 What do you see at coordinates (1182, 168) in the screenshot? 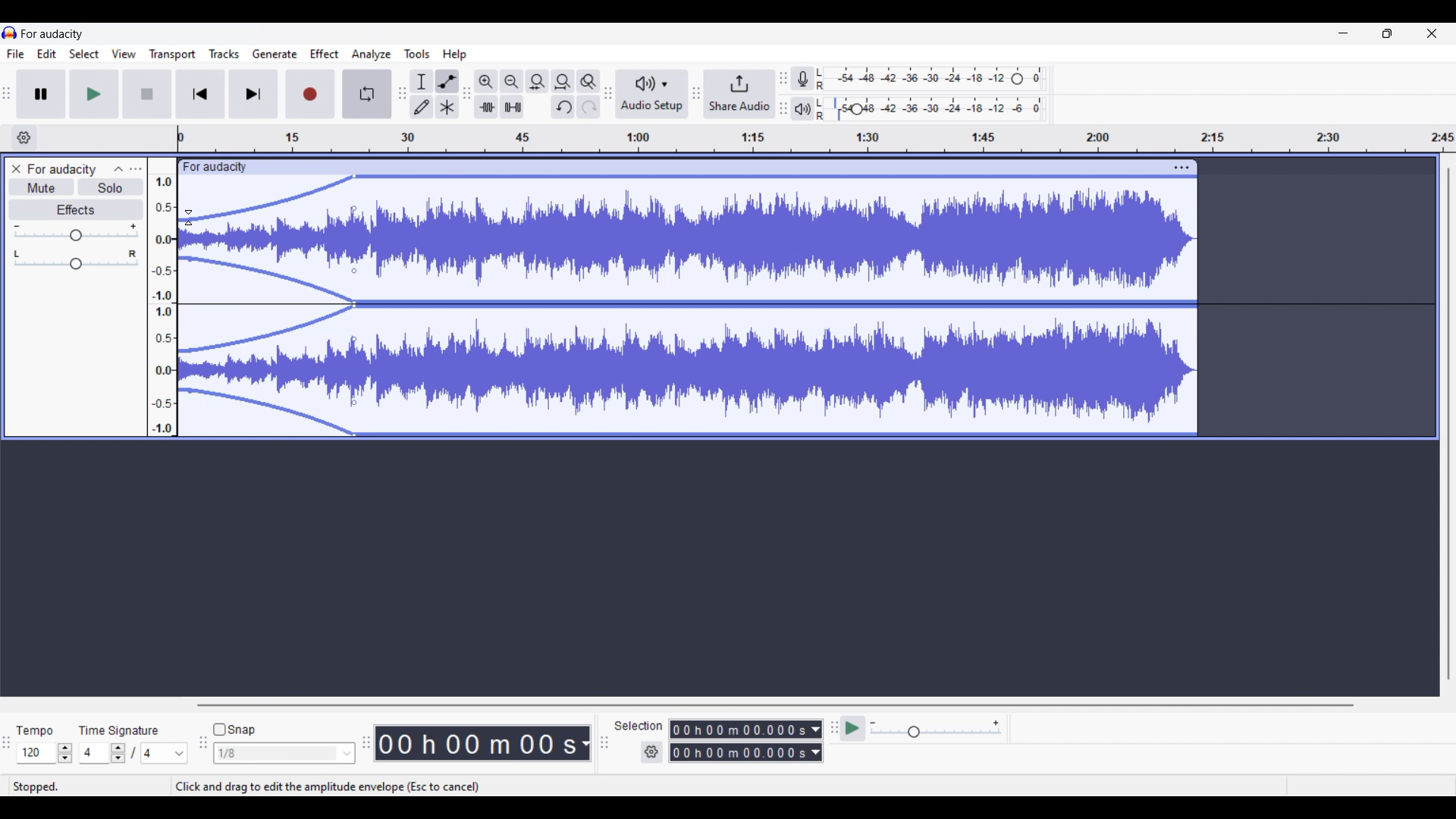
I see `Track settings` at bounding box center [1182, 168].